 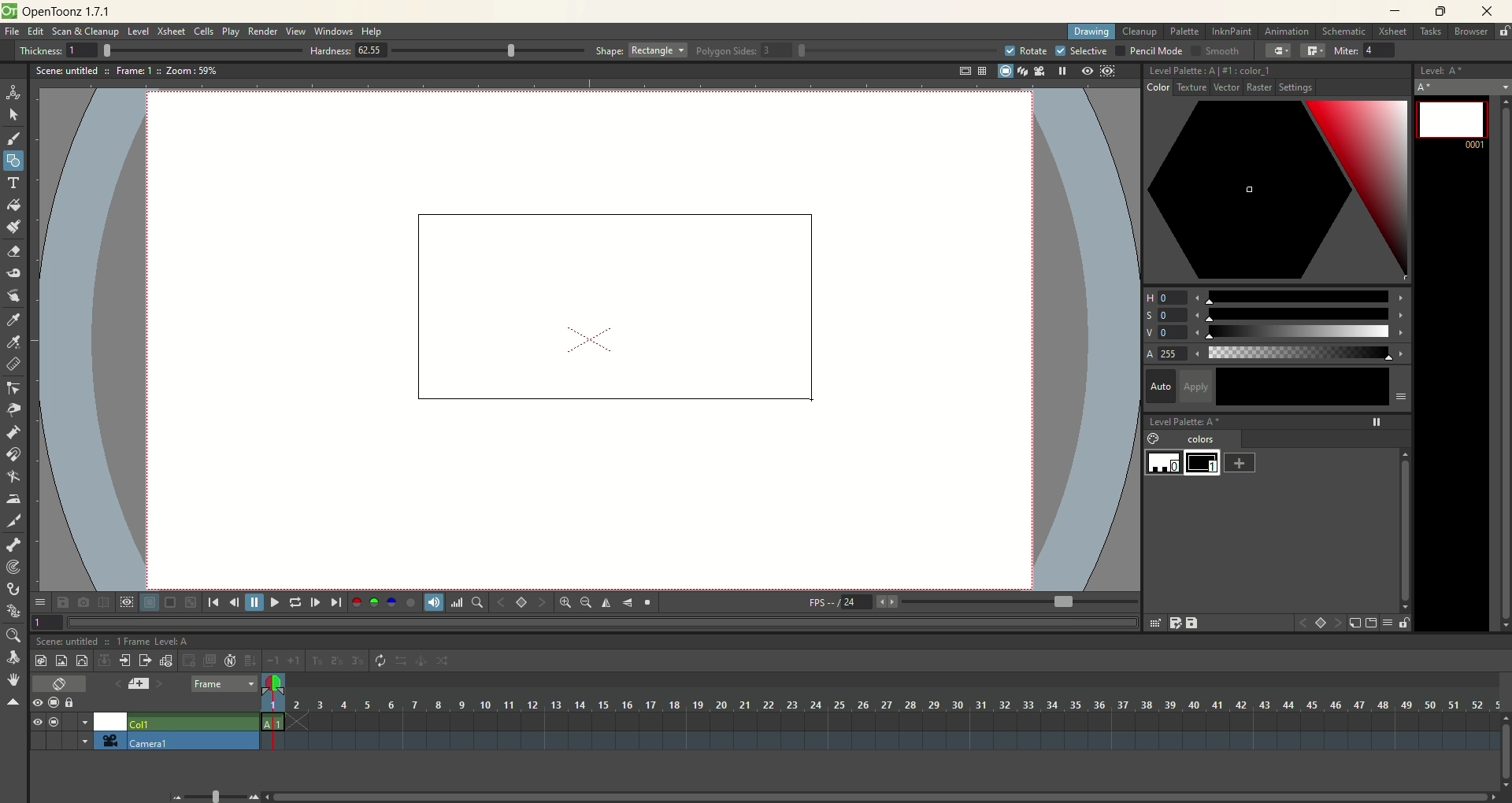 I want to click on pinch, so click(x=14, y=409).